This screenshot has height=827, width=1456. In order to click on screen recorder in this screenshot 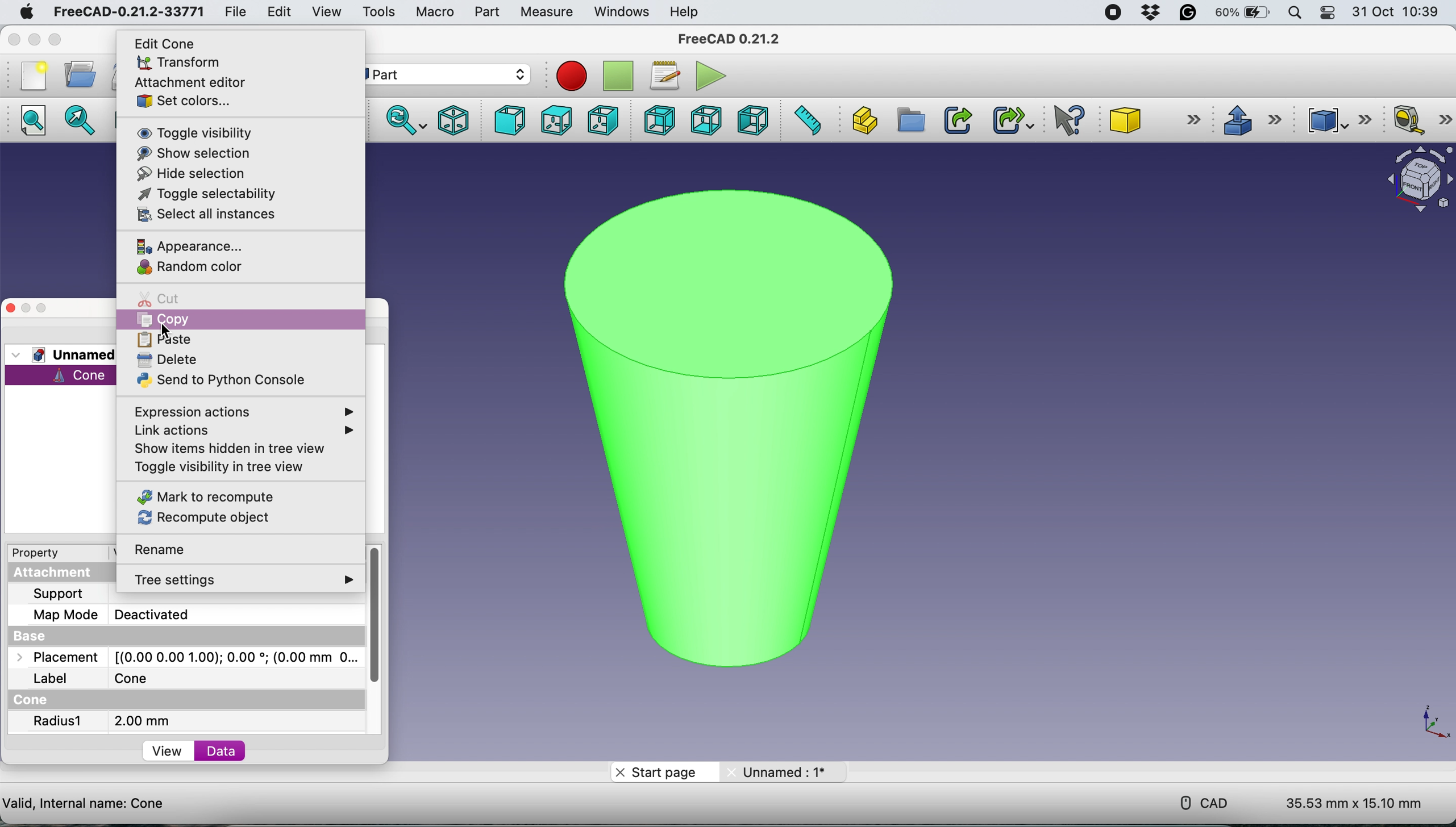, I will do `click(1109, 12)`.